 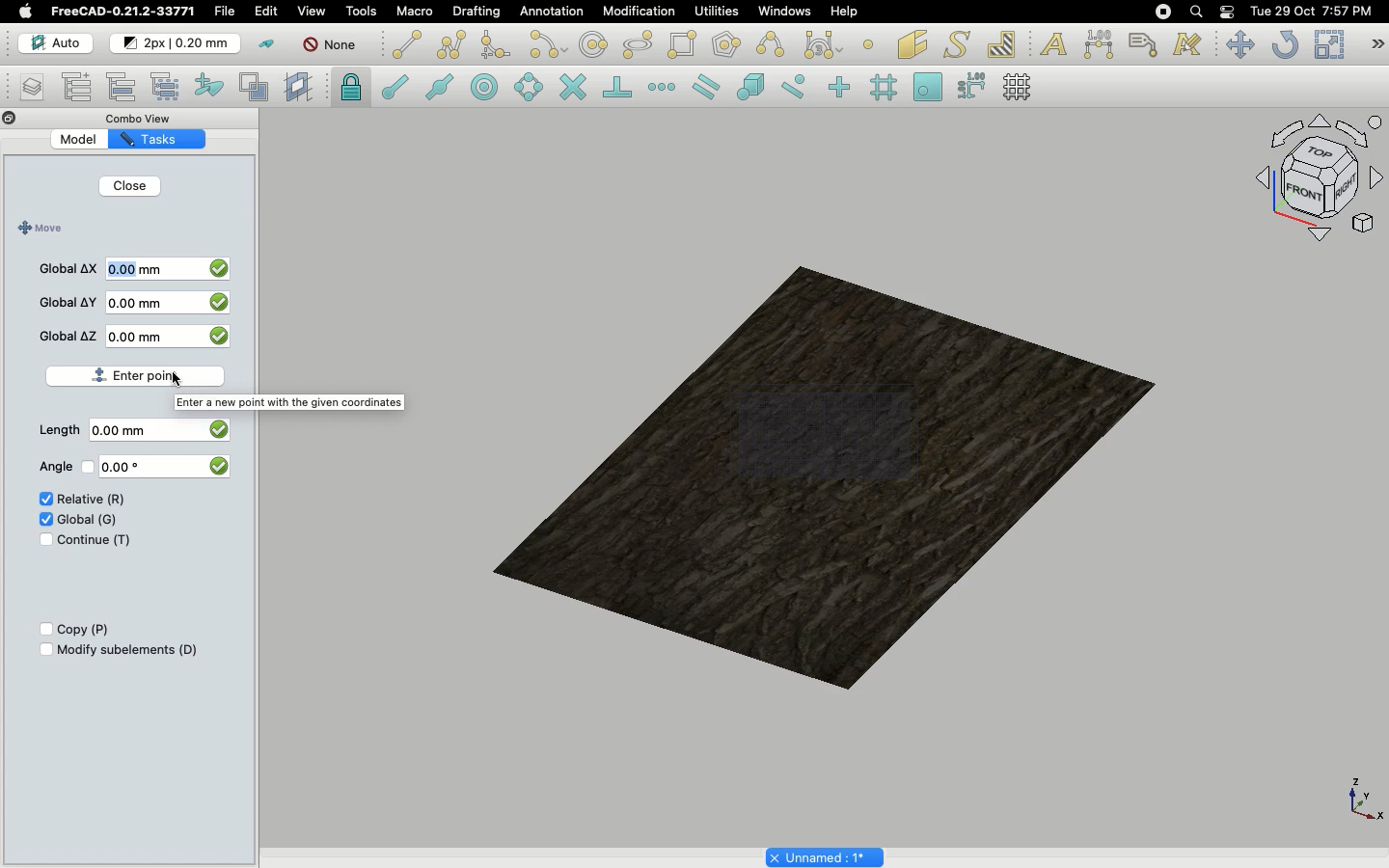 I want to click on Bezier tools, so click(x=826, y=44).